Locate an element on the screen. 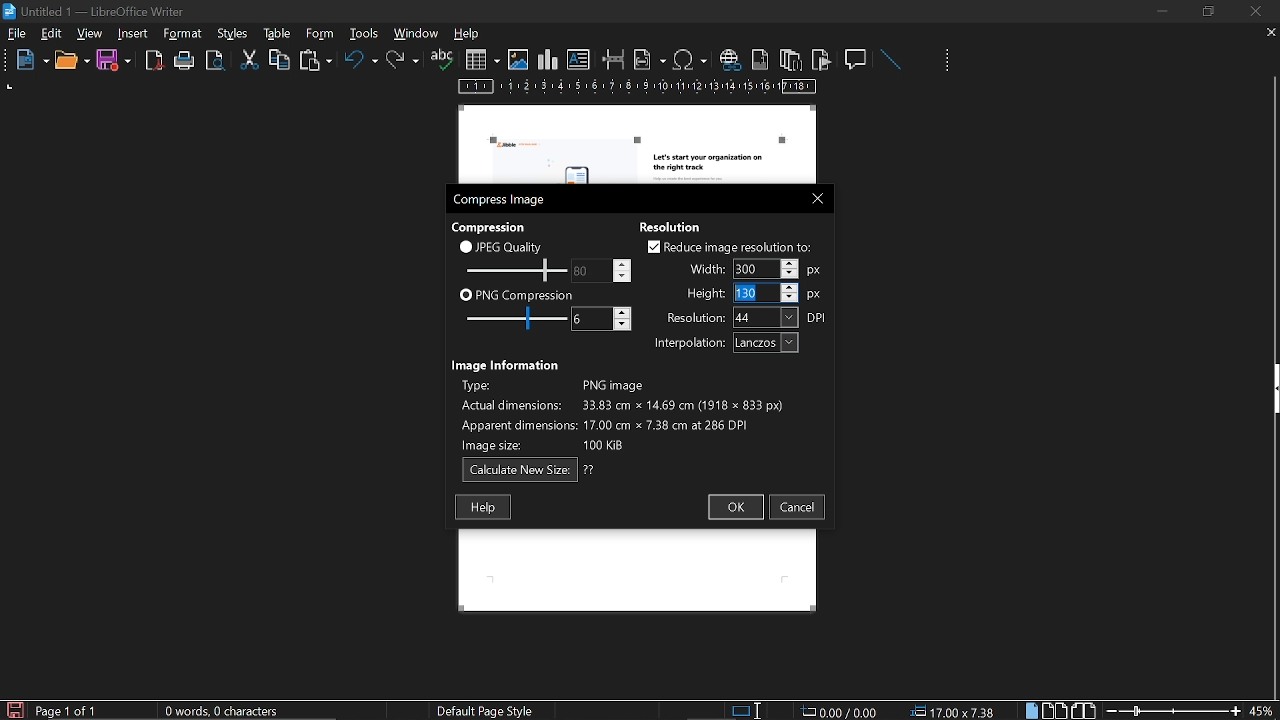 The image size is (1280, 720). save is located at coordinates (114, 61).